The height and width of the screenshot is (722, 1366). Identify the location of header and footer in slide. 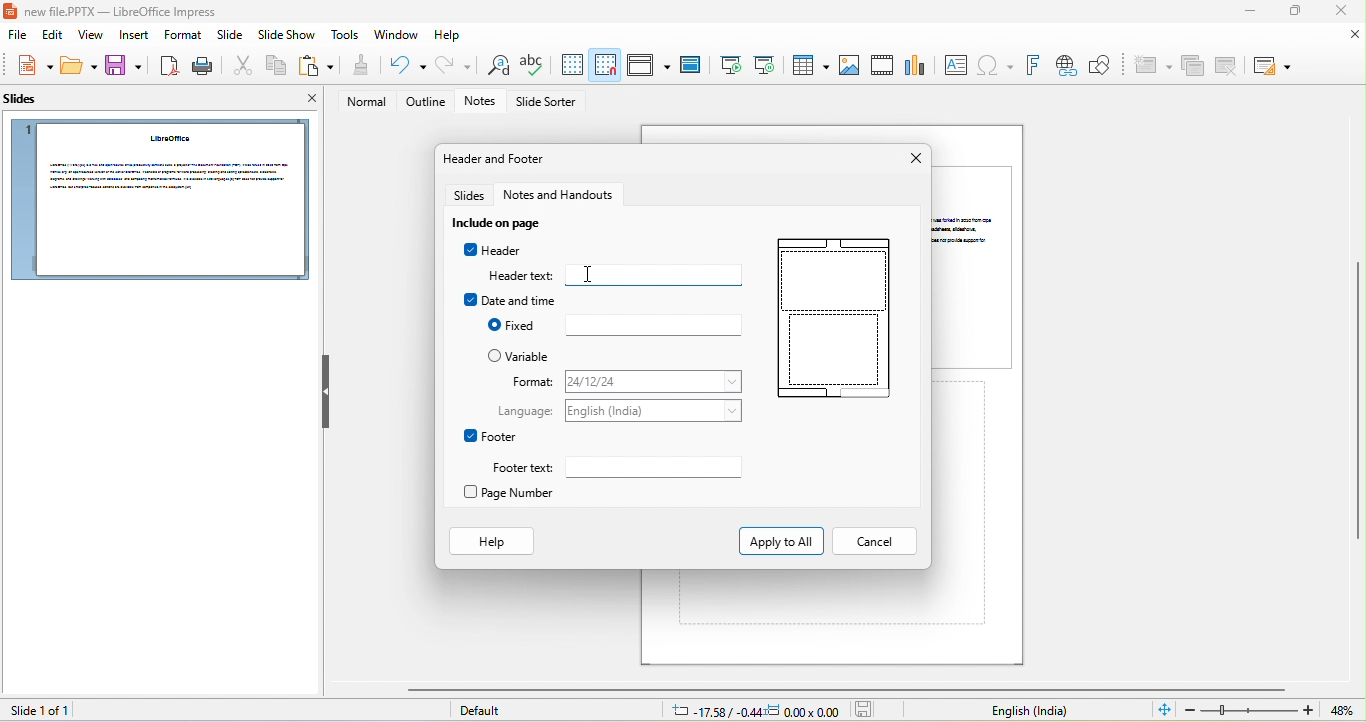
(831, 322).